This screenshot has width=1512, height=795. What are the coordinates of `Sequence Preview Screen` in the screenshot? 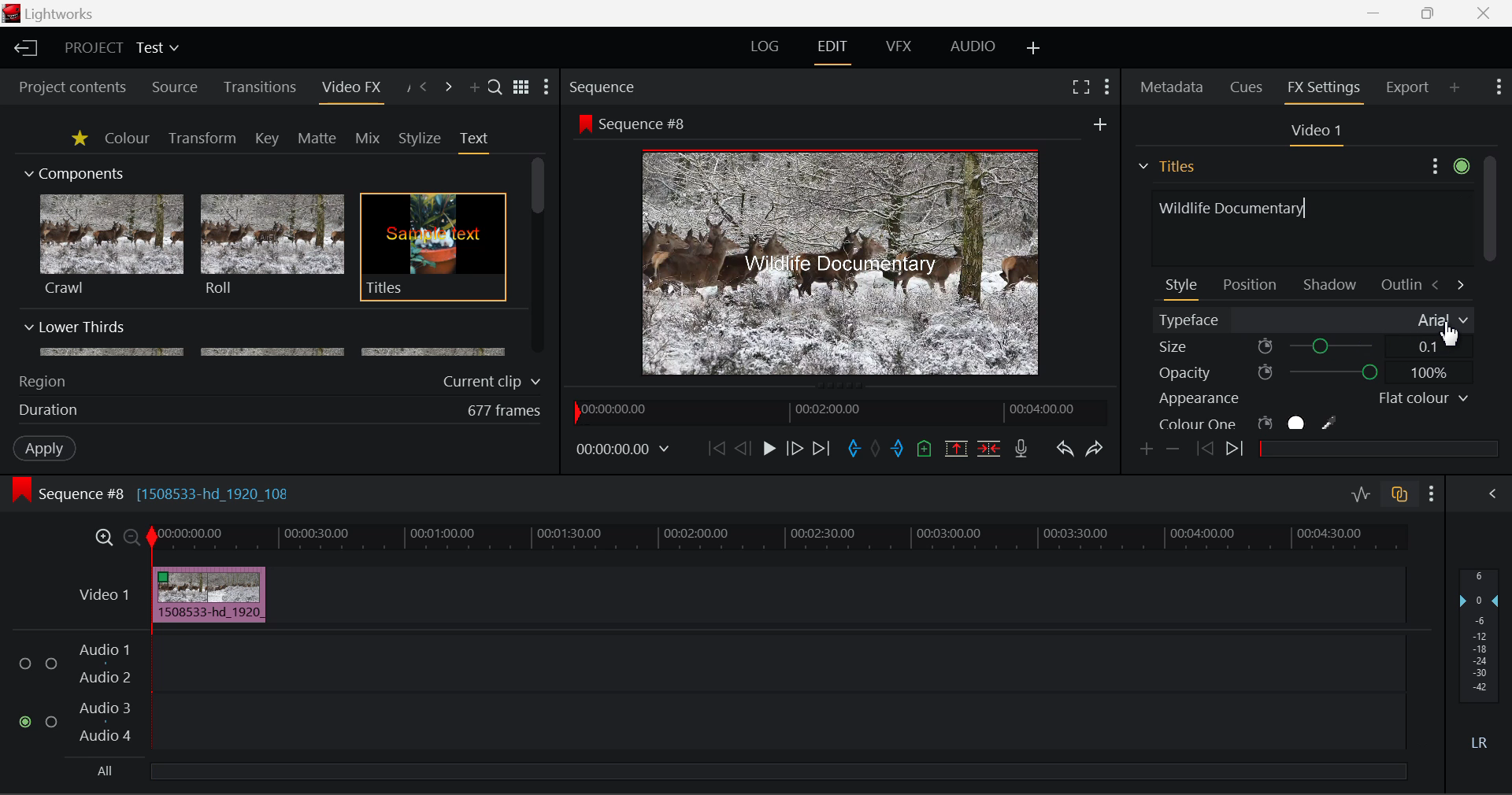 It's located at (845, 264).